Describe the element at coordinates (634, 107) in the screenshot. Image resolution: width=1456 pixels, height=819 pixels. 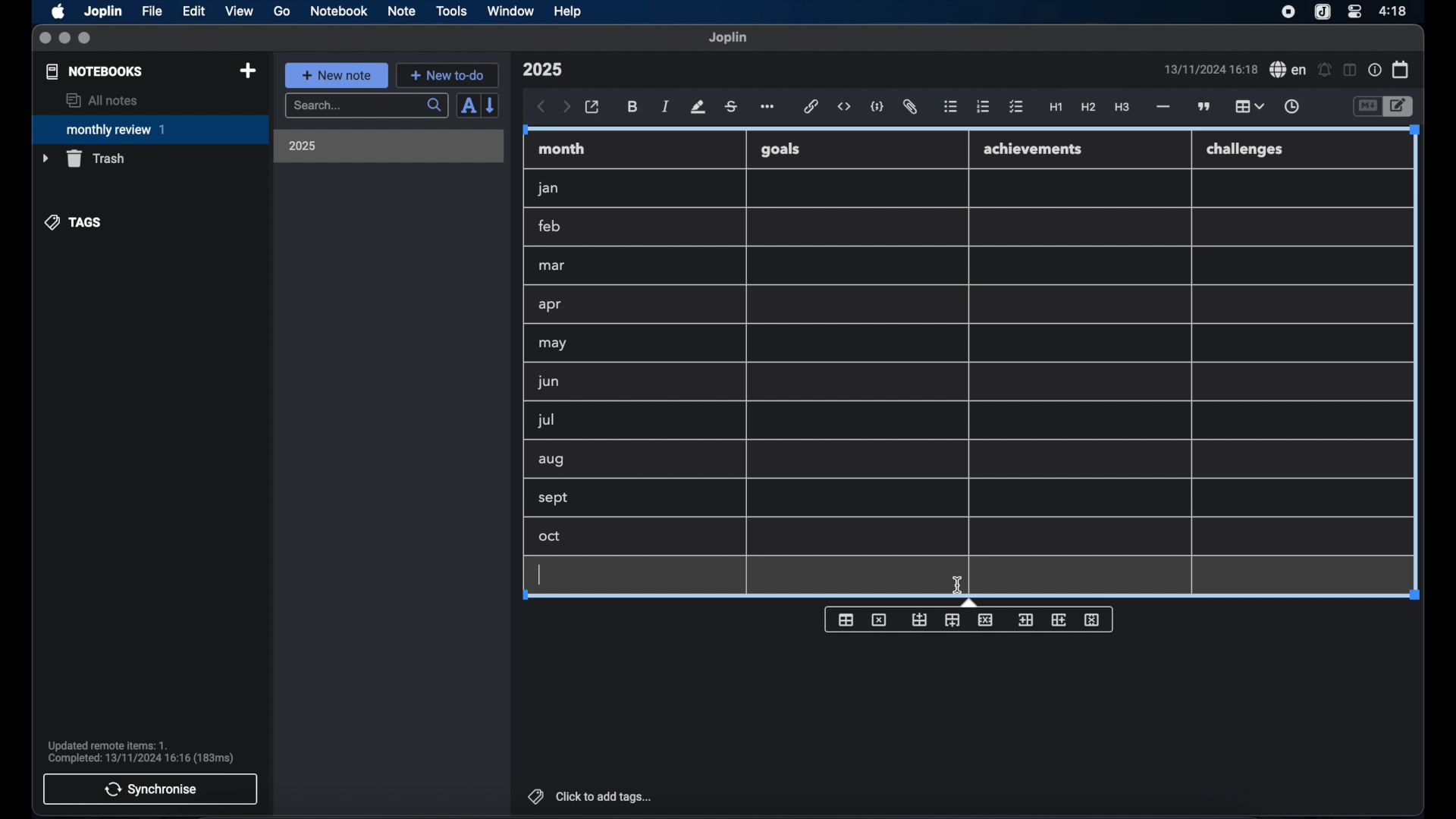
I see `bold` at that location.